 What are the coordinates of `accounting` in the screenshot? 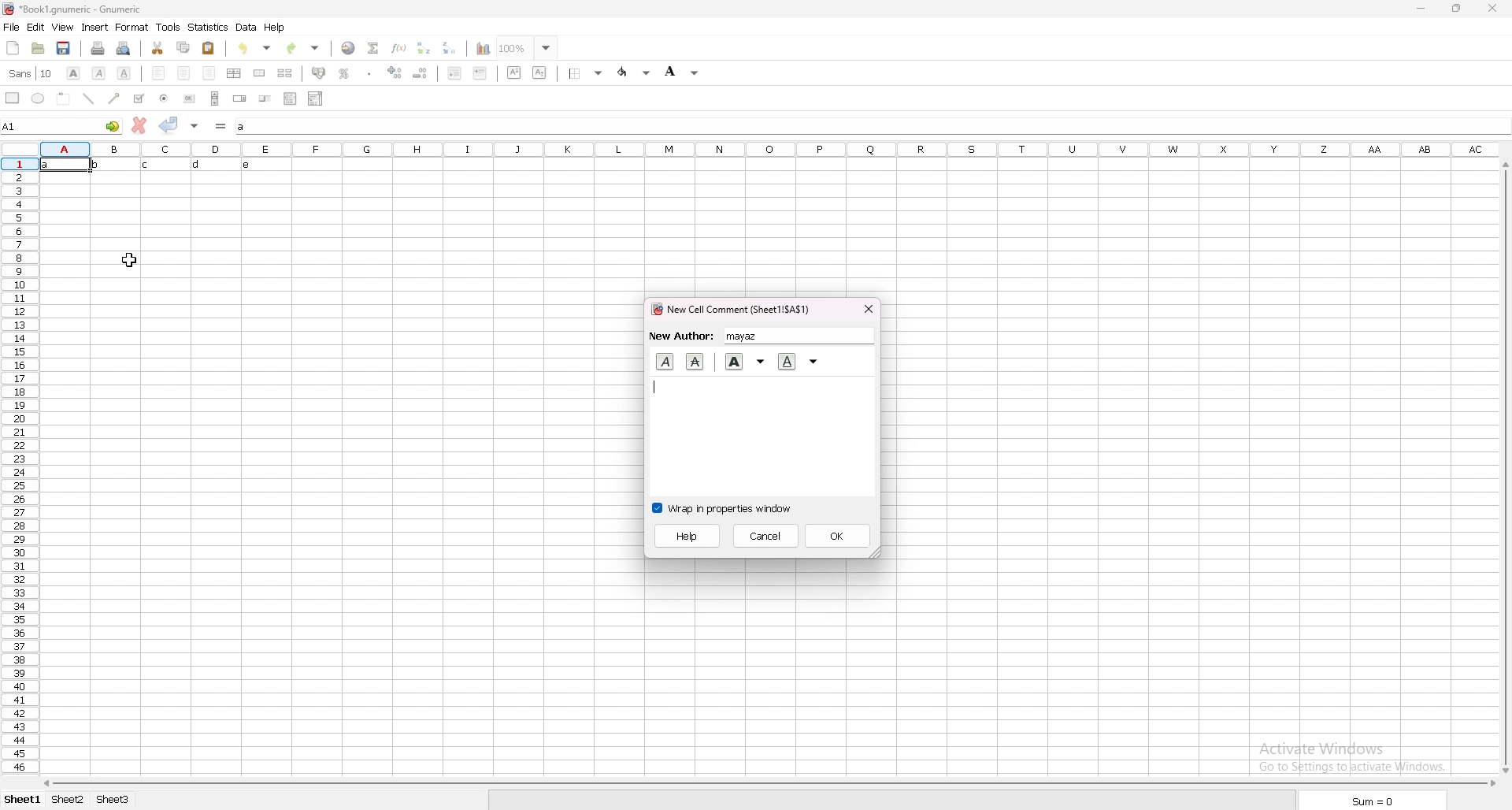 It's located at (319, 72).